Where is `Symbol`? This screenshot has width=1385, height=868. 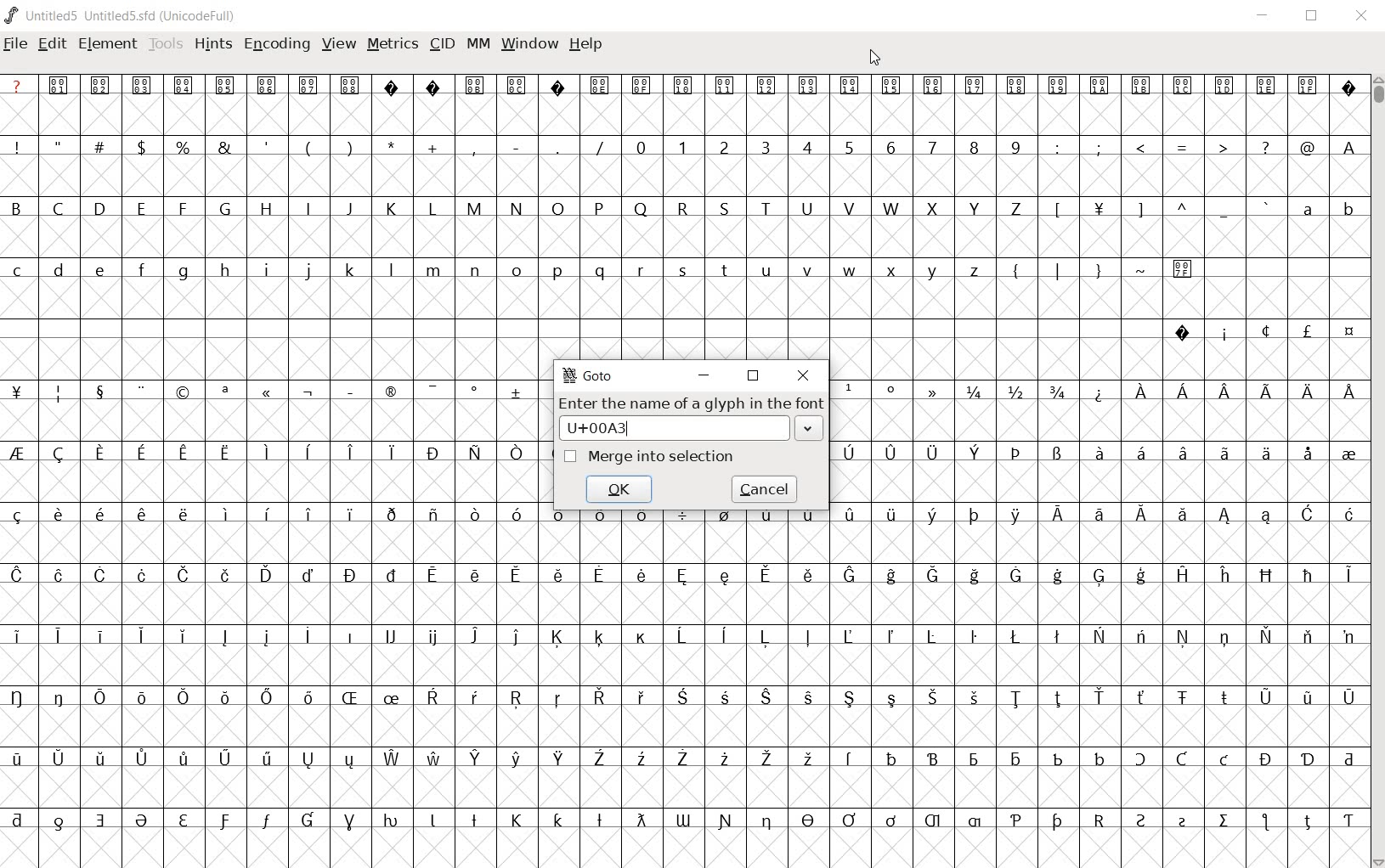 Symbol is located at coordinates (184, 575).